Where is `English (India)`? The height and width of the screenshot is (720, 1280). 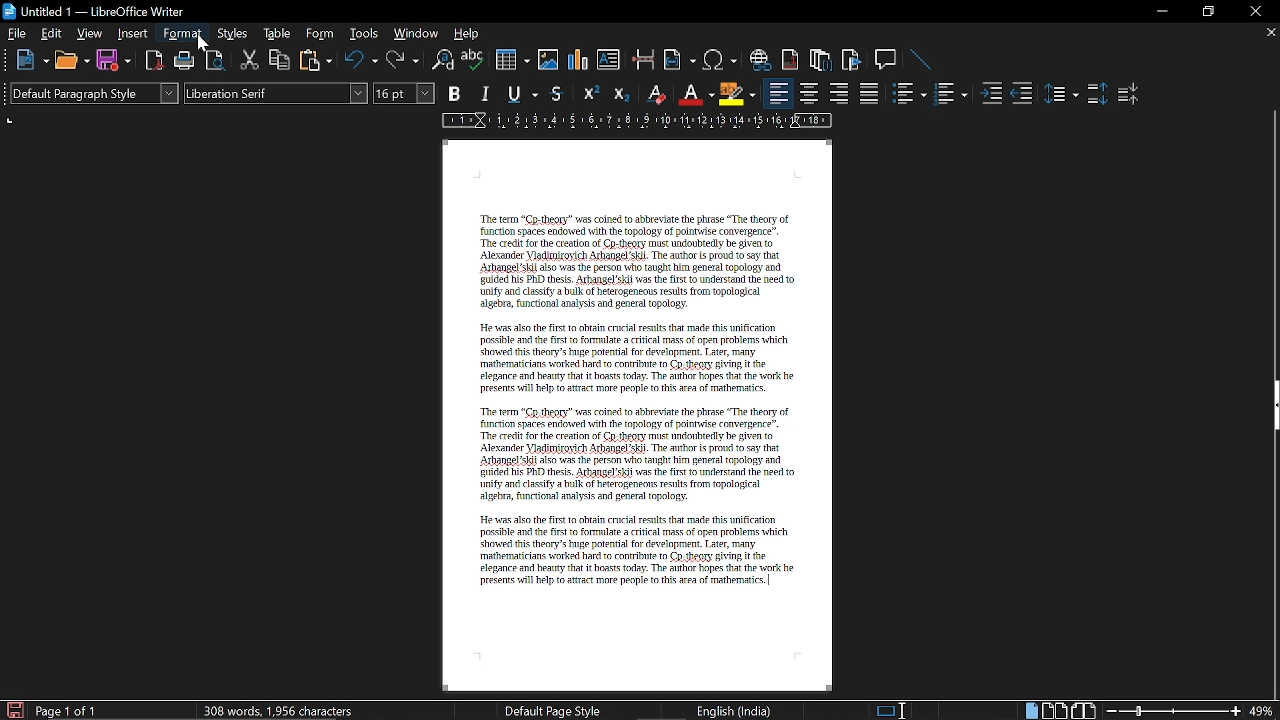
English (India) is located at coordinates (733, 710).